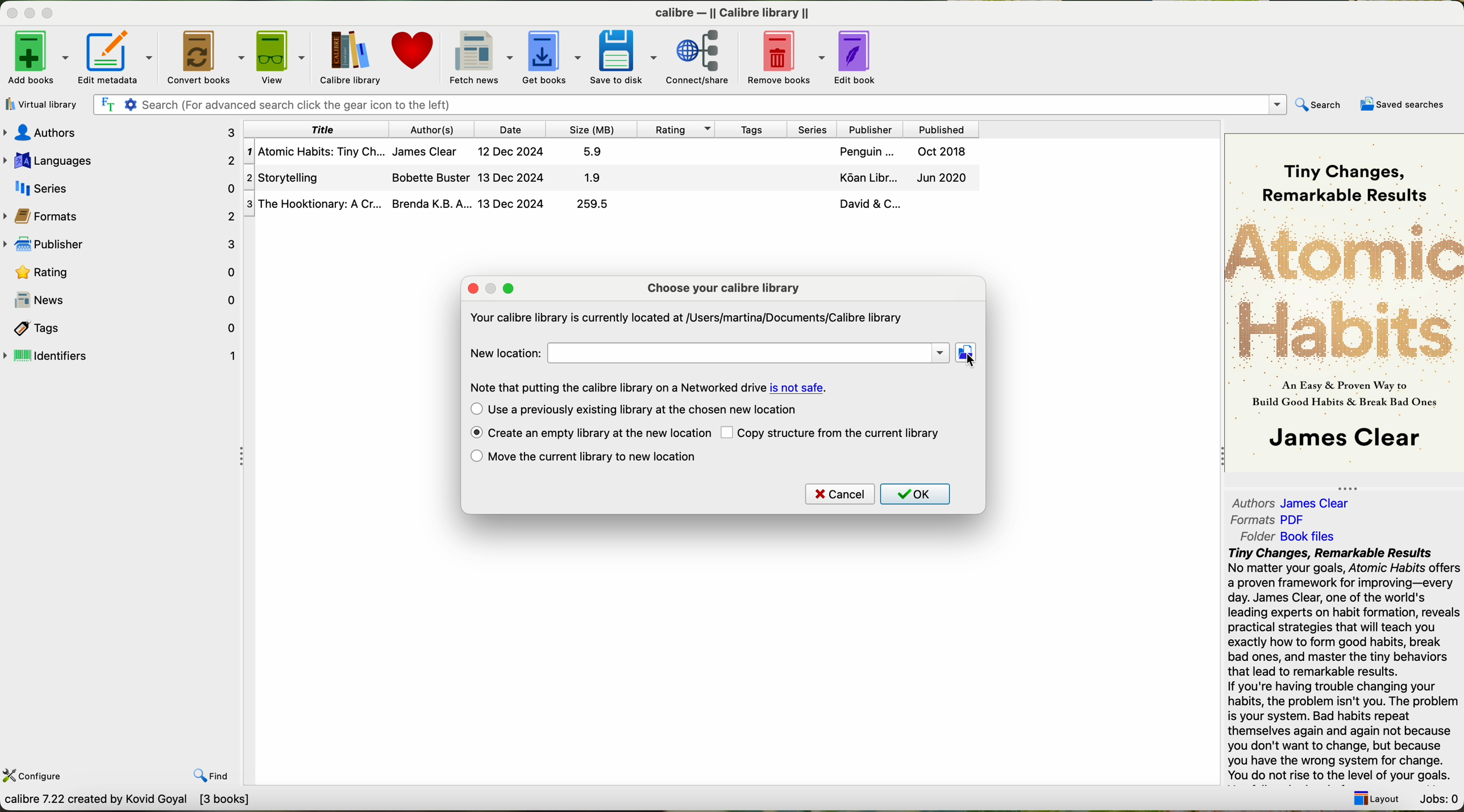  I want to click on enable create an empty library, so click(589, 434).